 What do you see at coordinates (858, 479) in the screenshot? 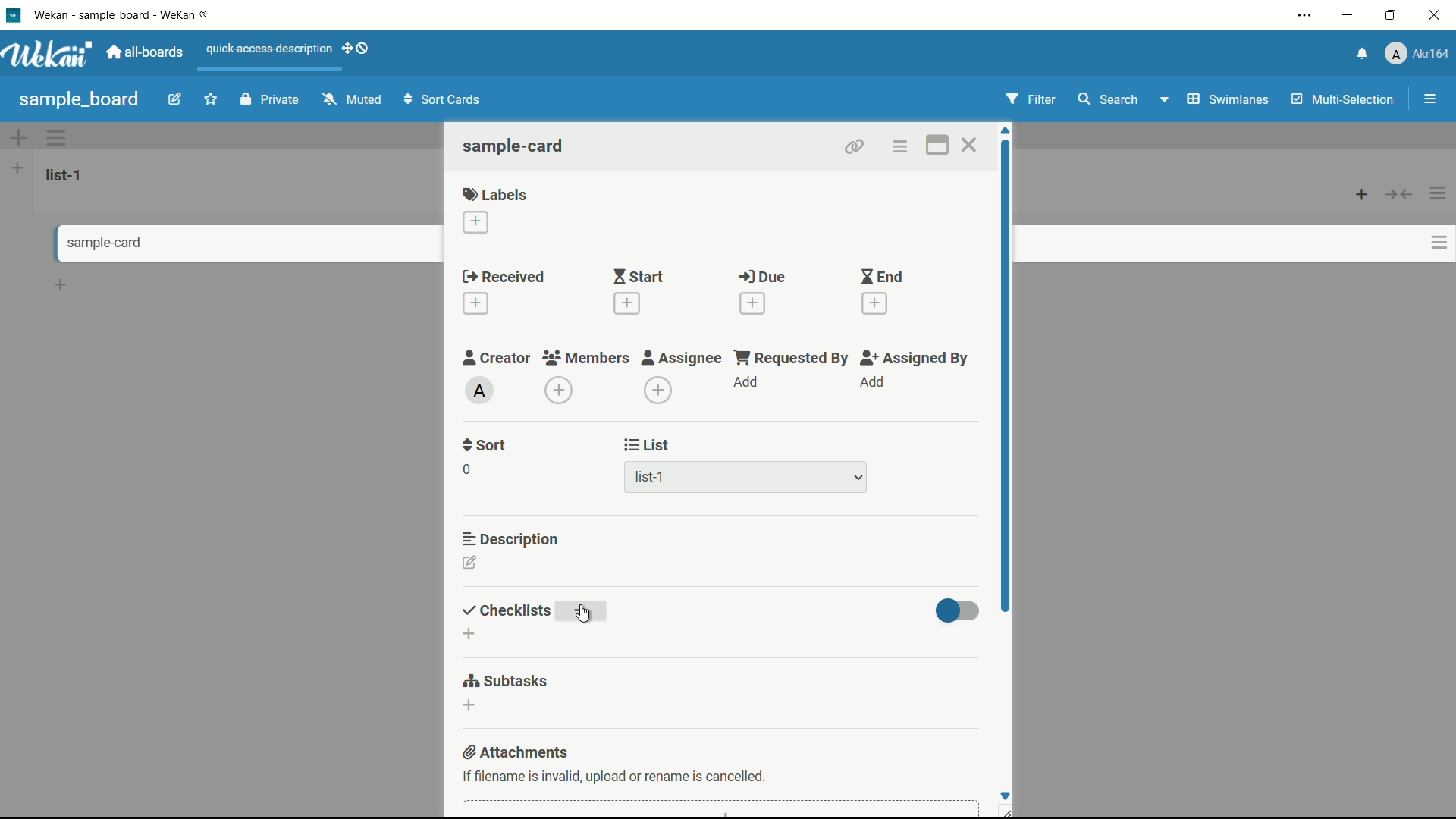
I see `dropdown` at bounding box center [858, 479].